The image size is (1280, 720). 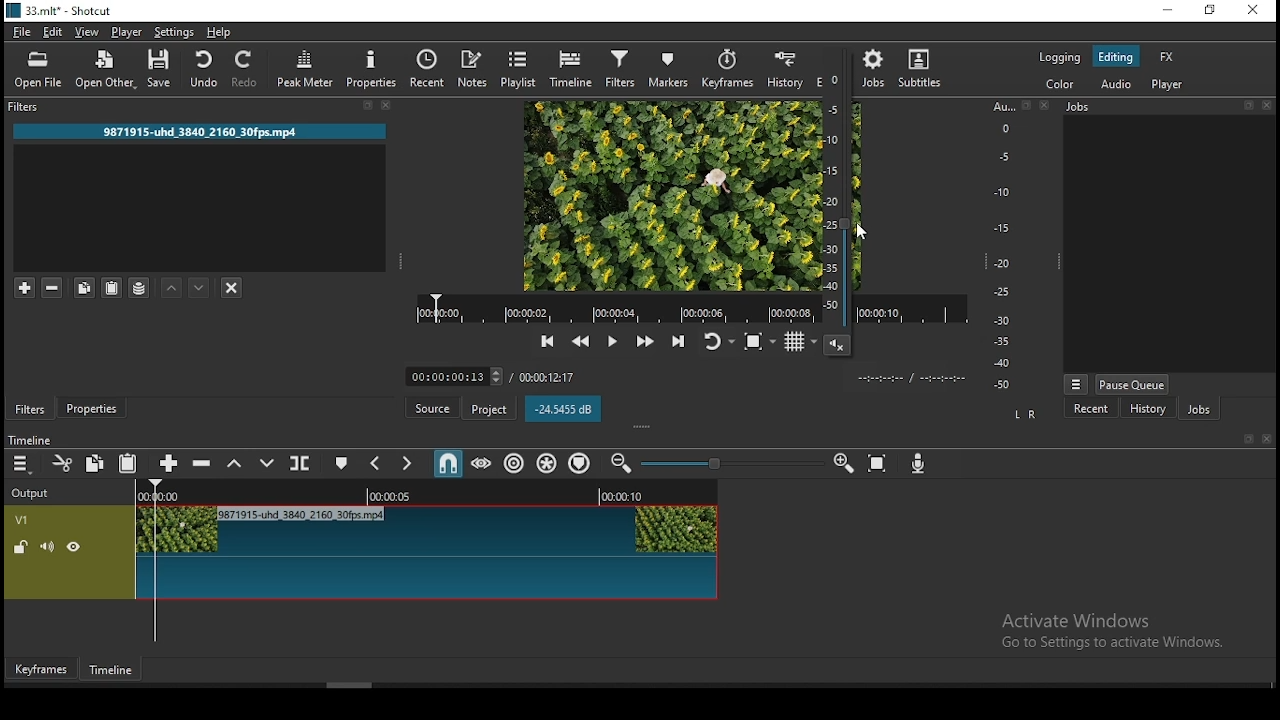 What do you see at coordinates (26, 288) in the screenshot?
I see `add a filter` at bounding box center [26, 288].